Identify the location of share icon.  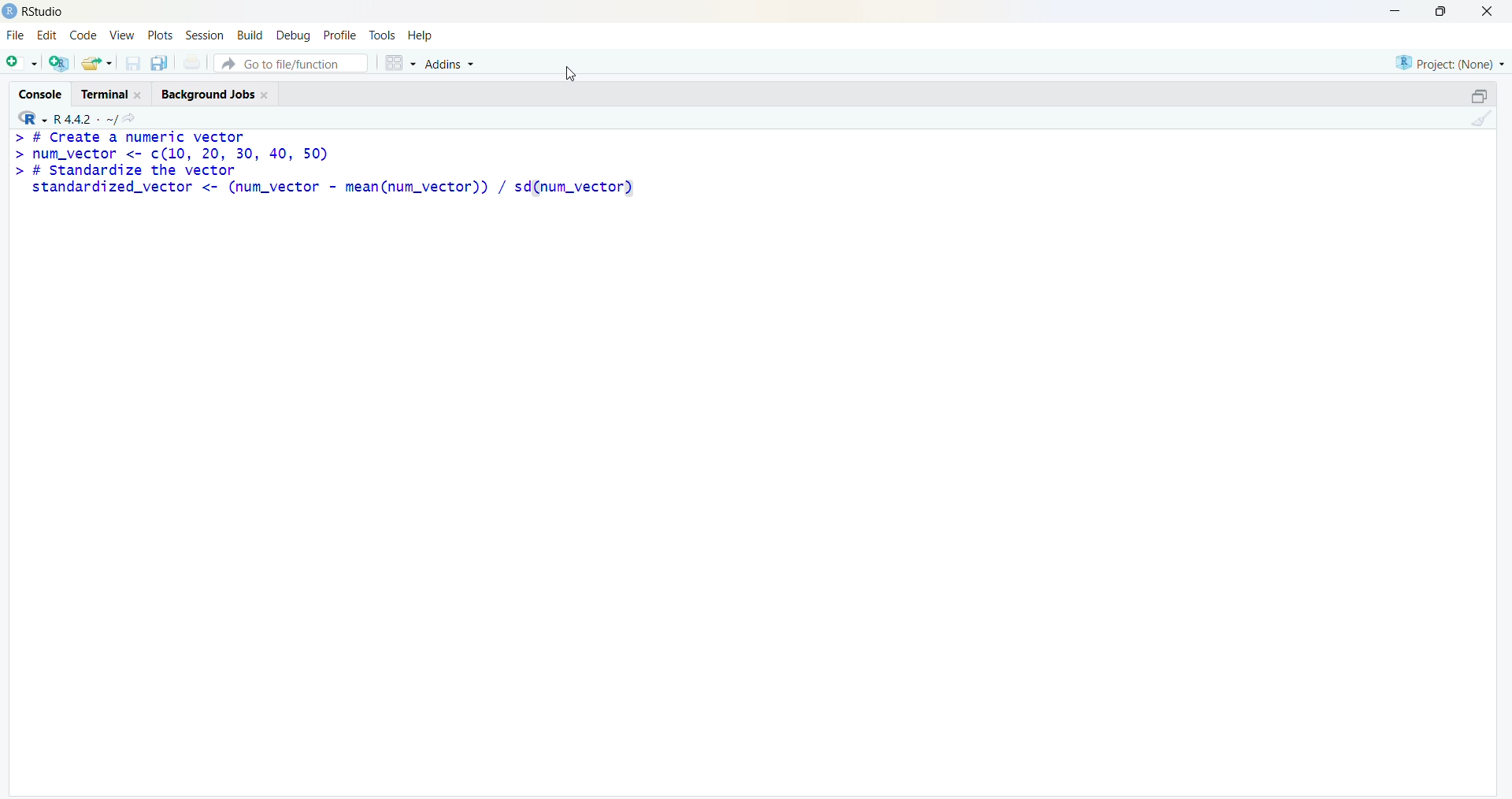
(129, 118).